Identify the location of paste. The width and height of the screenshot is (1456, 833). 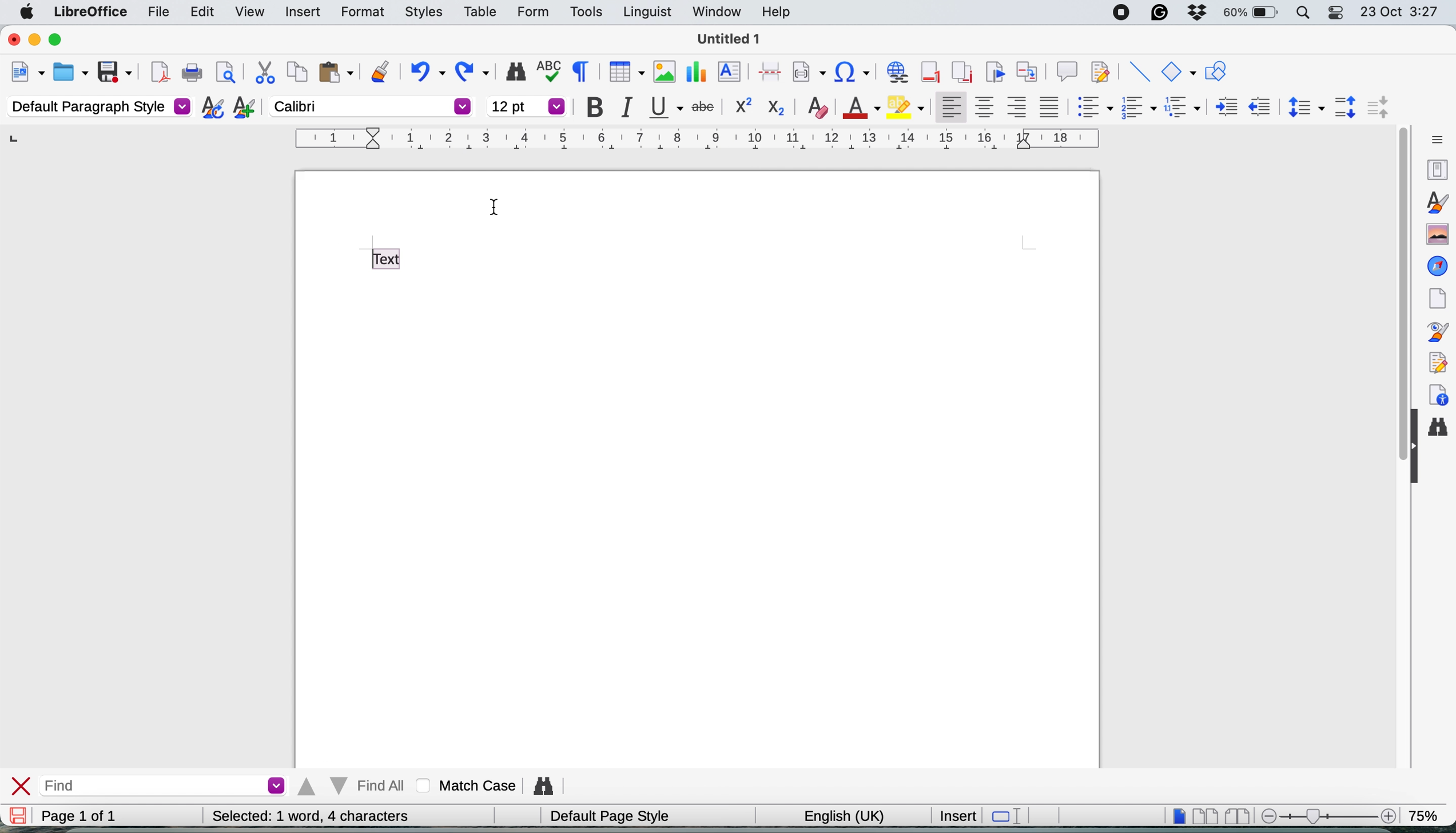
(335, 72).